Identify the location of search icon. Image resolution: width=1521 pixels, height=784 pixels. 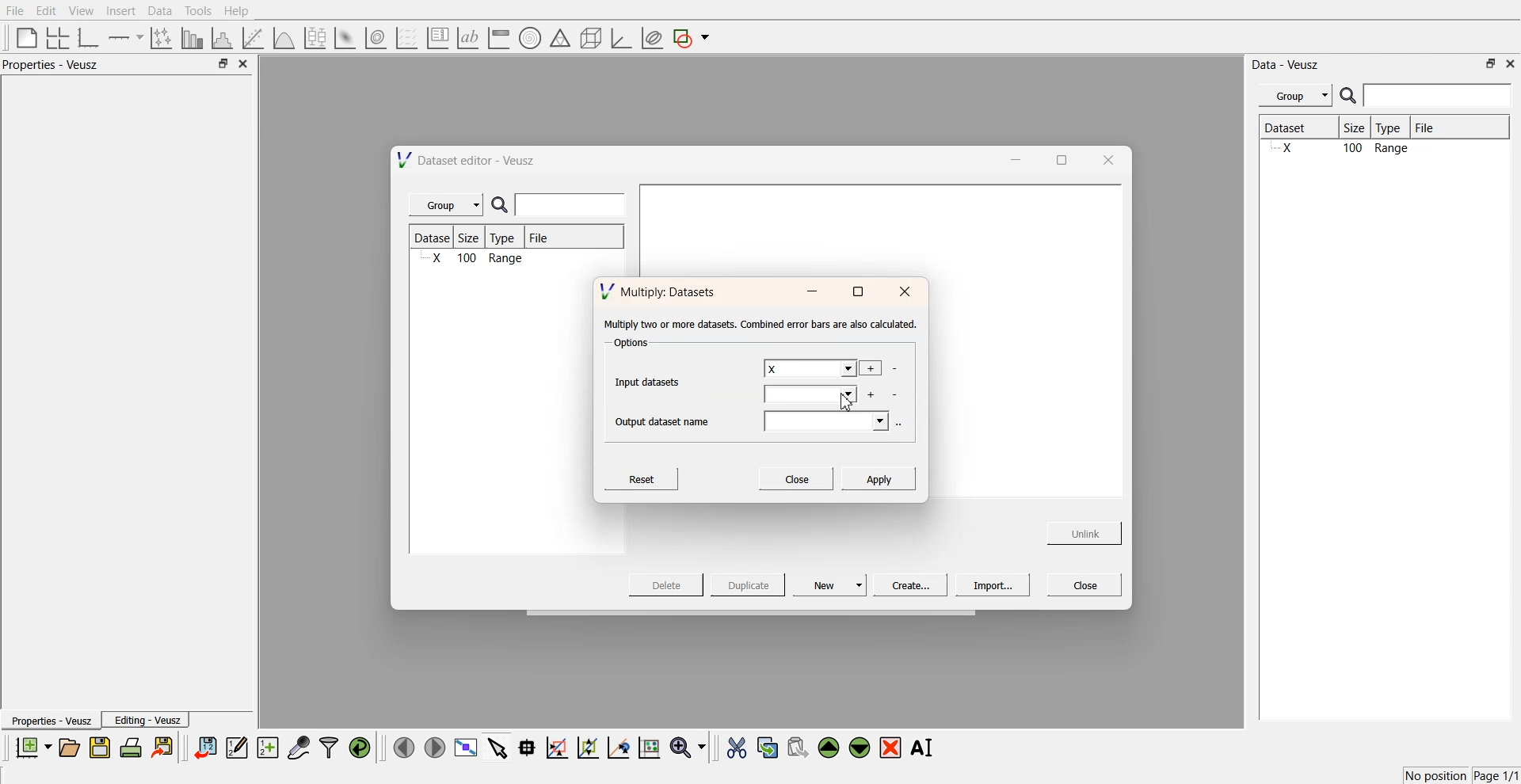
(503, 206).